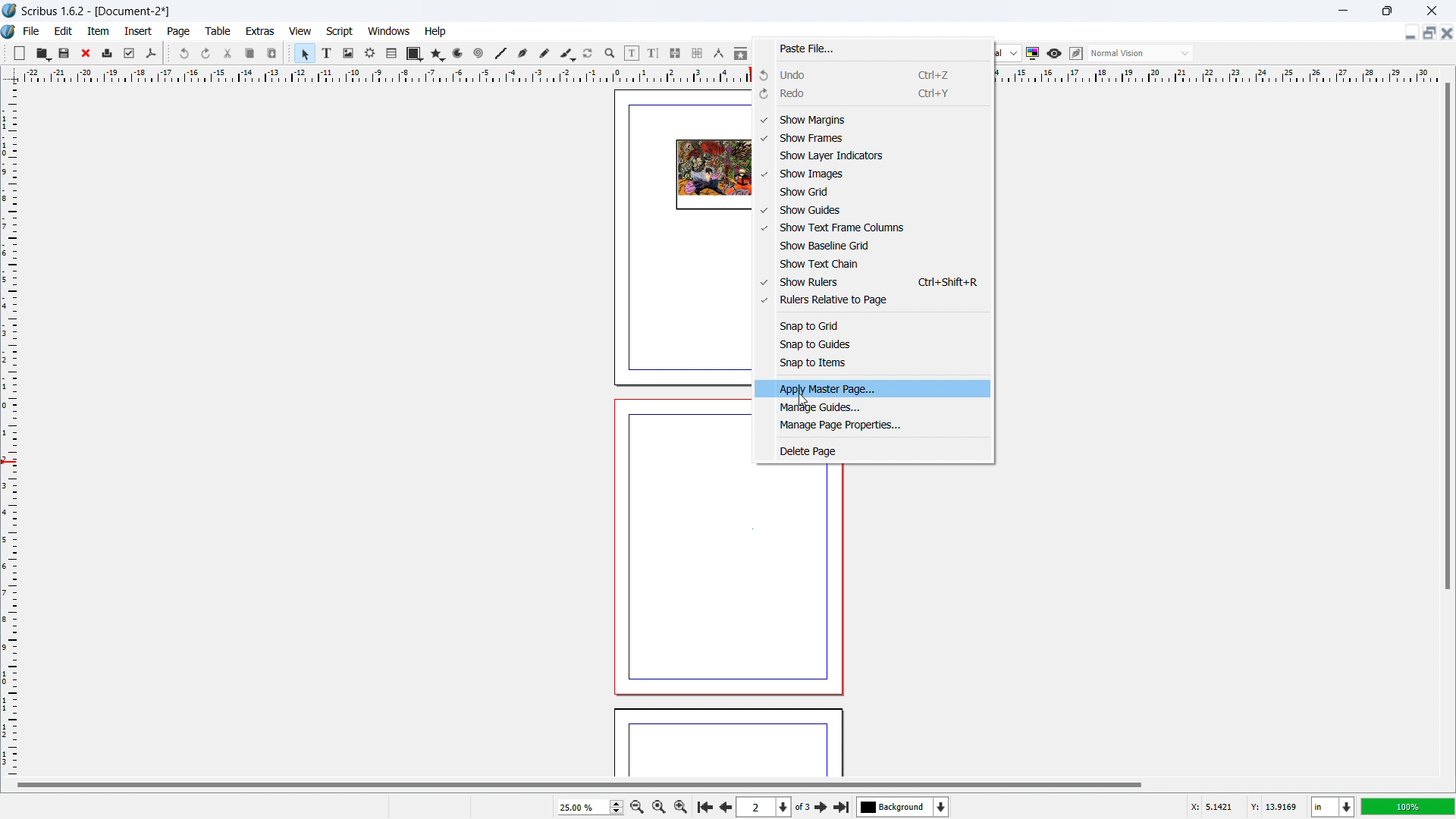  What do you see at coordinates (610, 54) in the screenshot?
I see `zoom in/out` at bounding box center [610, 54].